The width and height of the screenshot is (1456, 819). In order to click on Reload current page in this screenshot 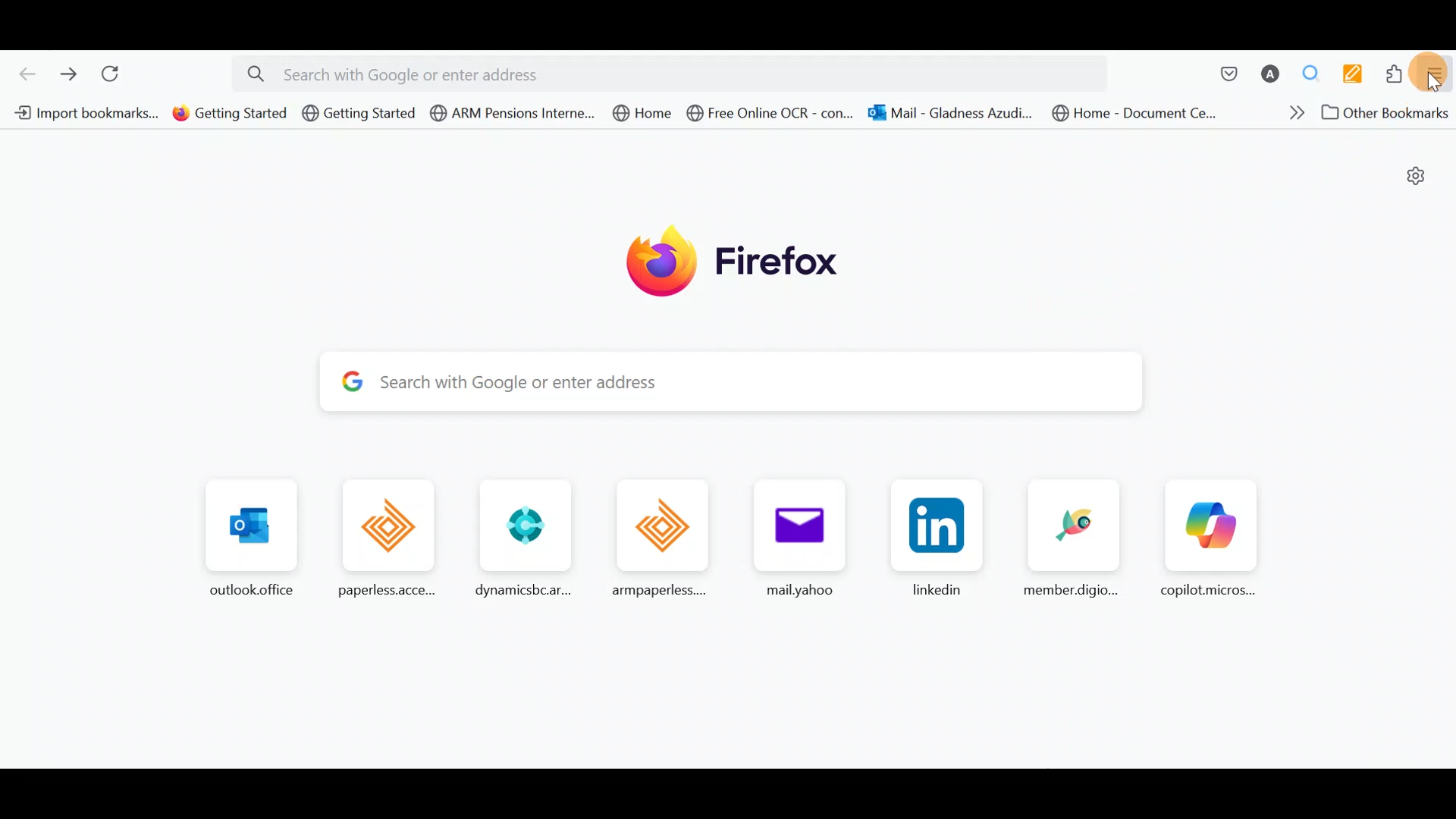, I will do `click(115, 74)`.